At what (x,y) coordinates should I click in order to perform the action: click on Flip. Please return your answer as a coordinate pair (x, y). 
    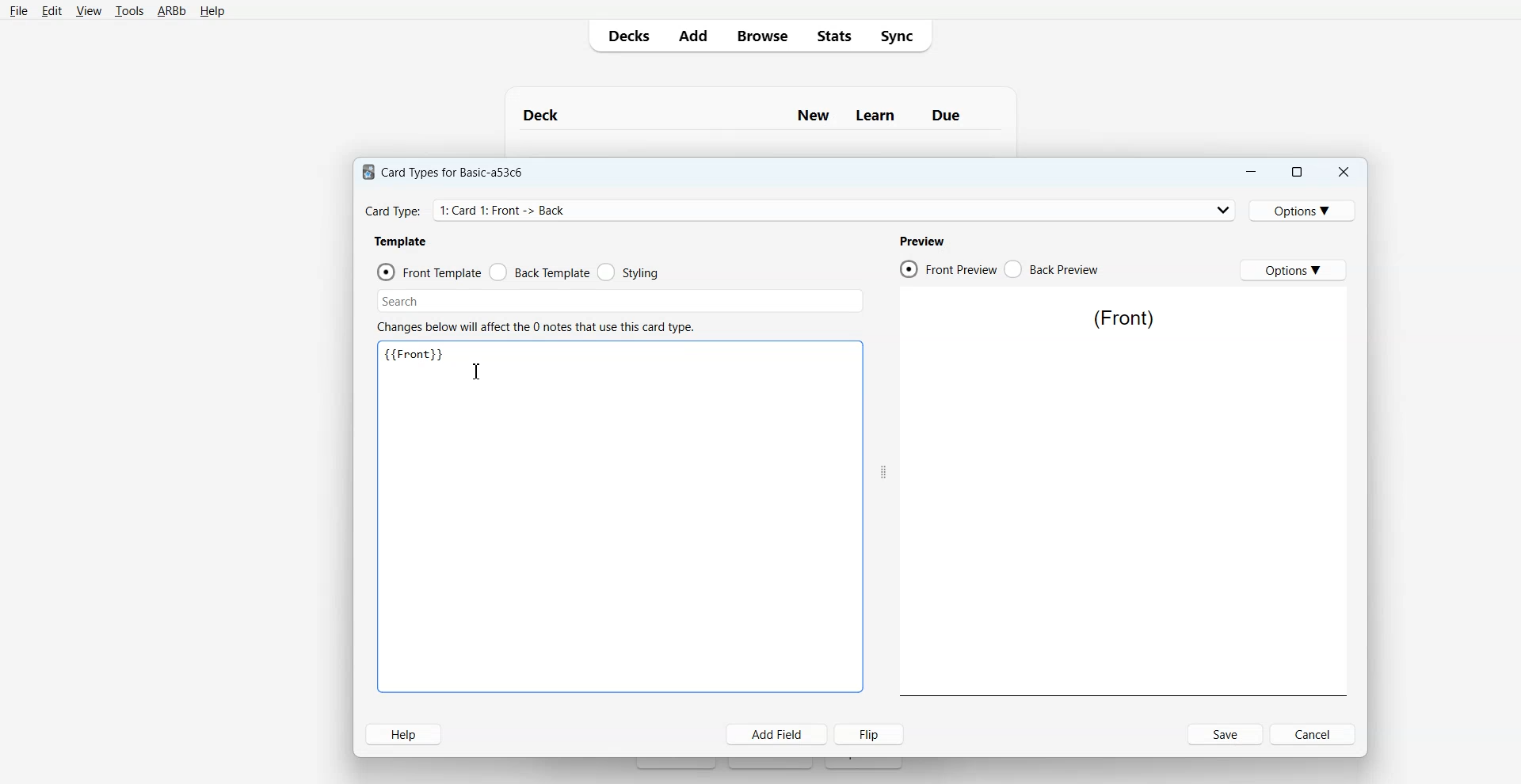
    Looking at the image, I should click on (872, 733).